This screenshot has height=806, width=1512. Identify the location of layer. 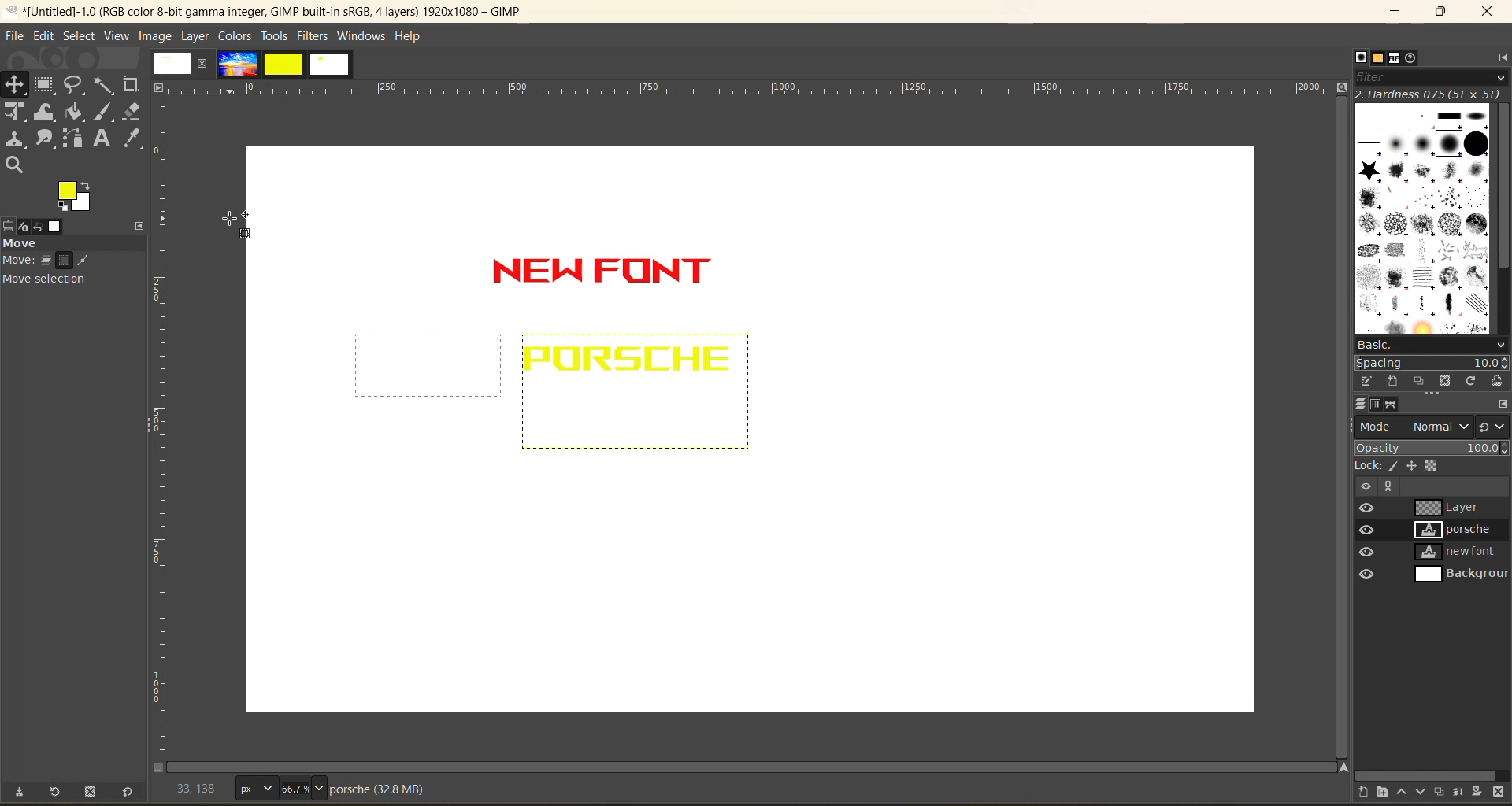
(197, 36).